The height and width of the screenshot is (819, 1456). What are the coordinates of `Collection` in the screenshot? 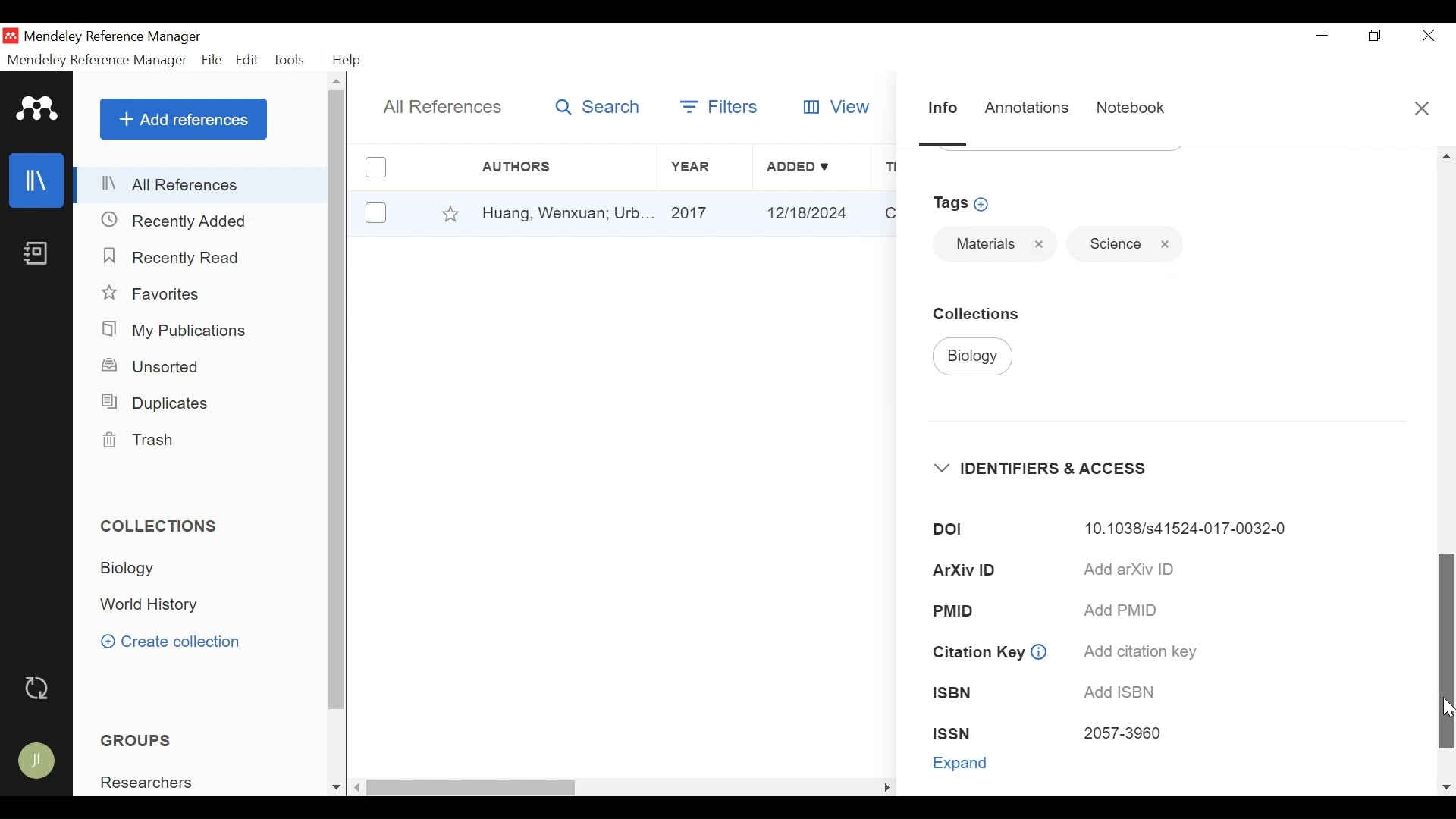 It's located at (144, 570).